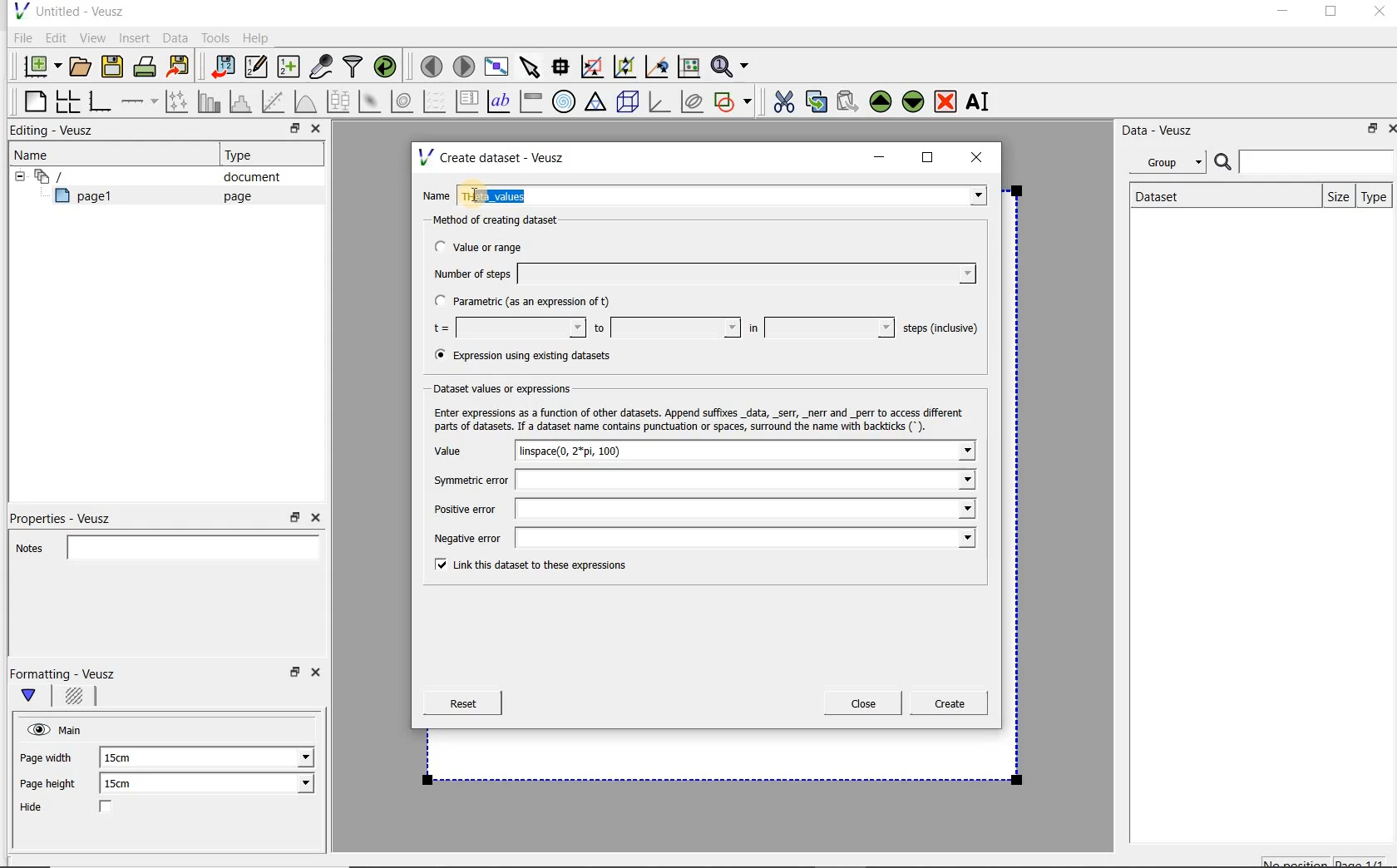  What do you see at coordinates (660, 103) in the screenshot?
I see `3d graph` at bounding box center [660, 103].